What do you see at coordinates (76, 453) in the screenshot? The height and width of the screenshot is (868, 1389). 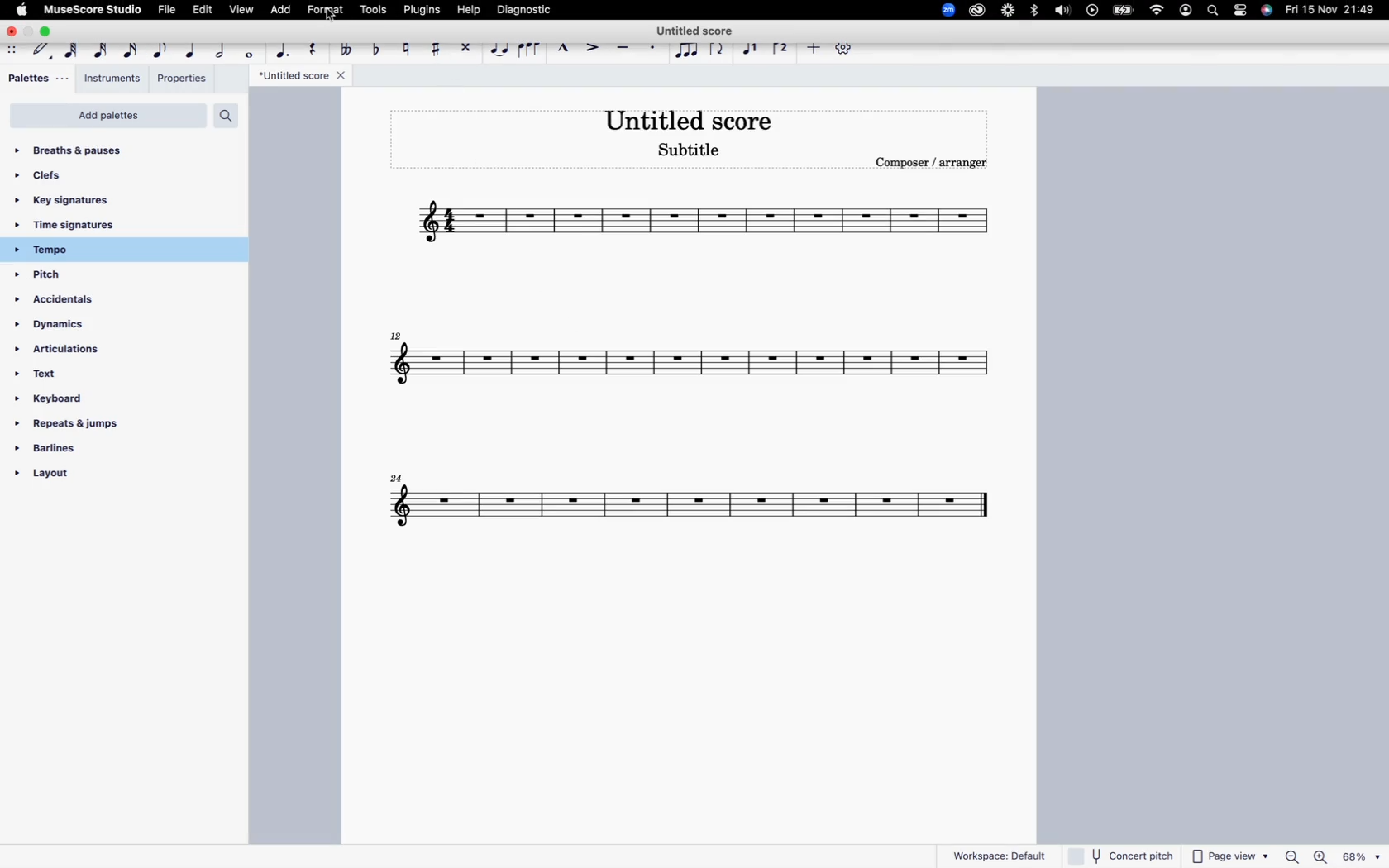 I see `barlines` at bounding box center [76, 453].